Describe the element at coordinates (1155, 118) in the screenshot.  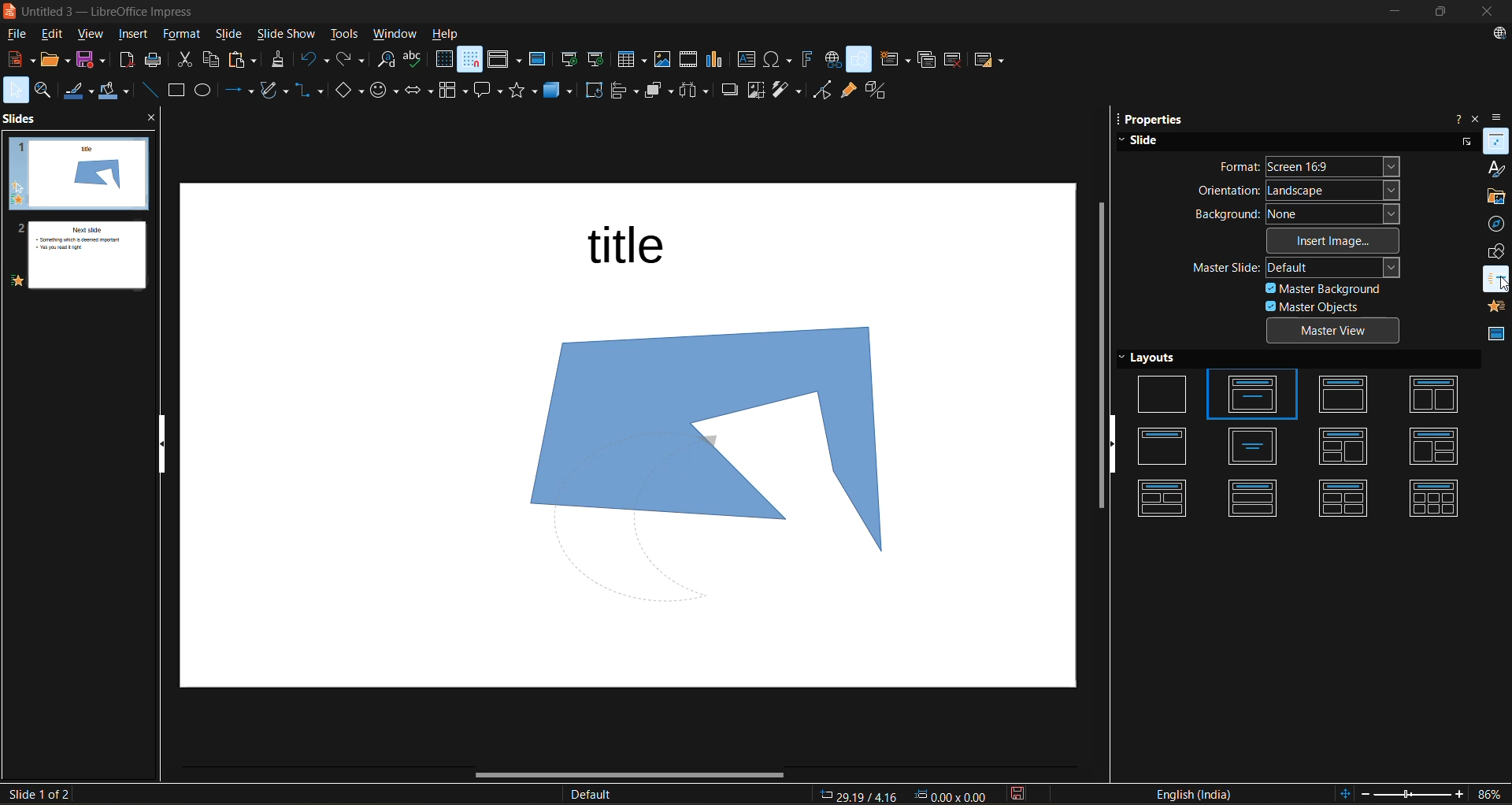
I see `properties` at that location.